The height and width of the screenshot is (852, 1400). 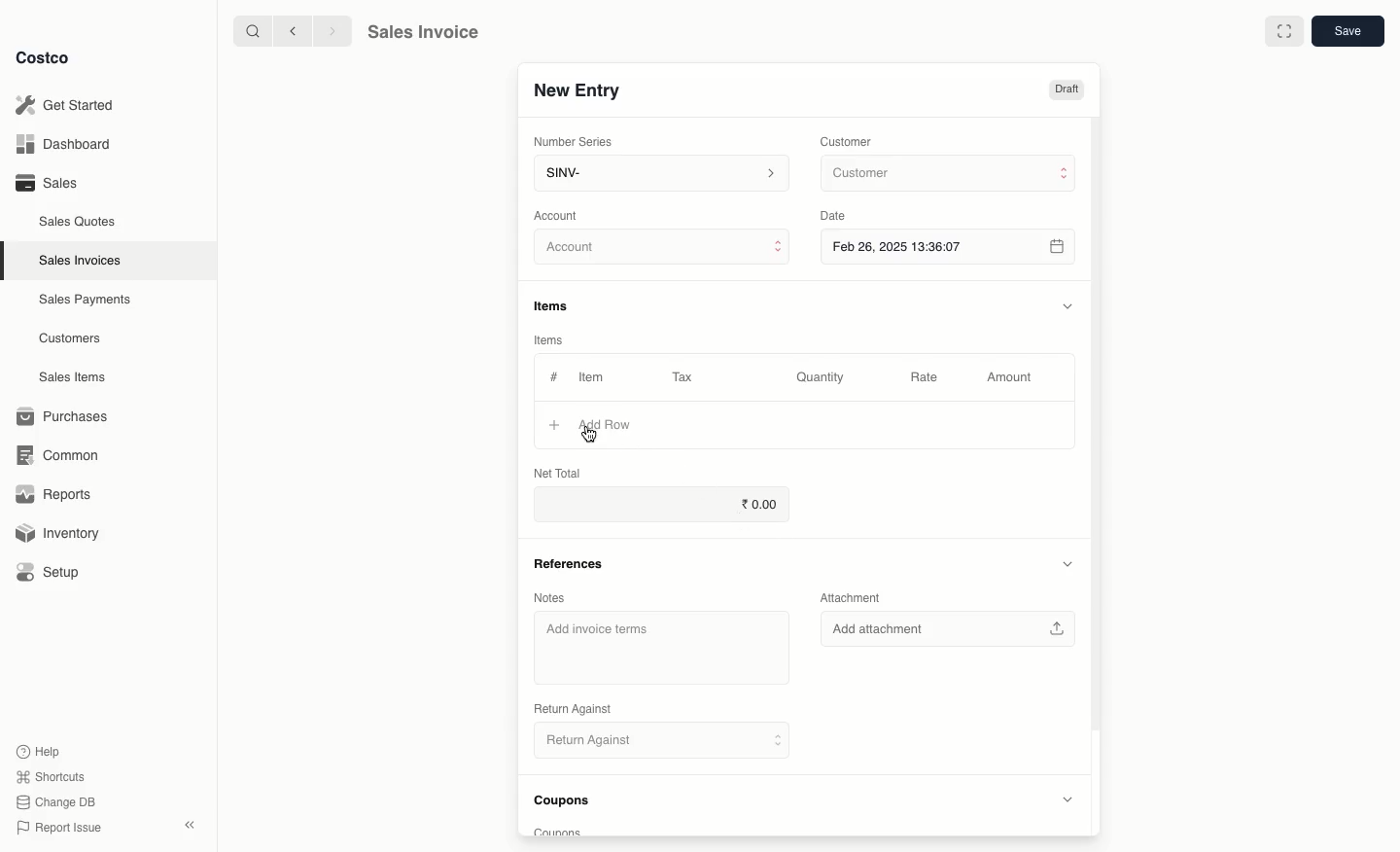 What do you see at coordinates (660, 175) in the screenshot?
I see `SINV-` at bounding box center [660, 175].